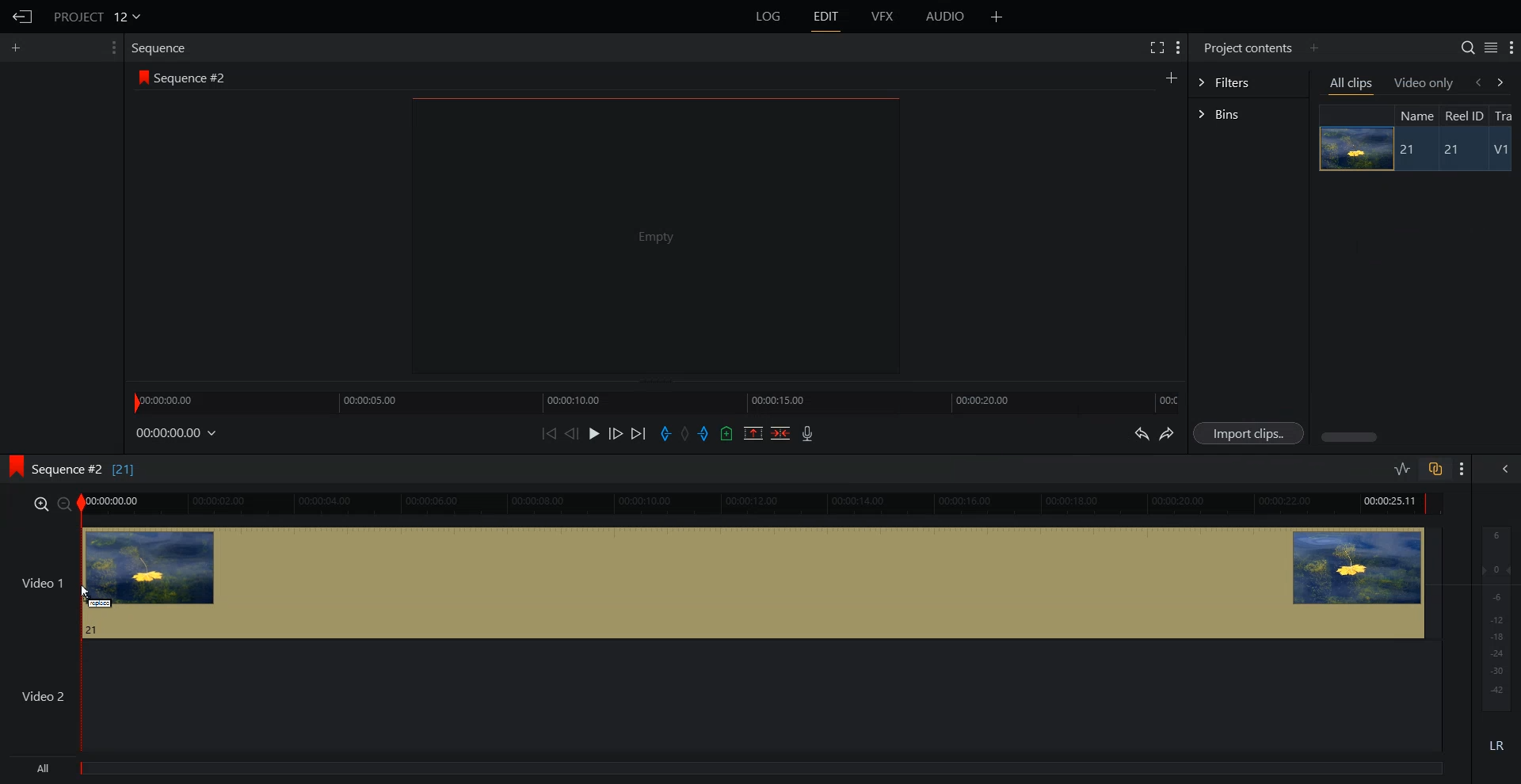 This screenshot has height=784, width=1521. What do you see at coordinates (808, 433) in the screenshot?
I see `Record Audio` at bounding box center [808, 433].